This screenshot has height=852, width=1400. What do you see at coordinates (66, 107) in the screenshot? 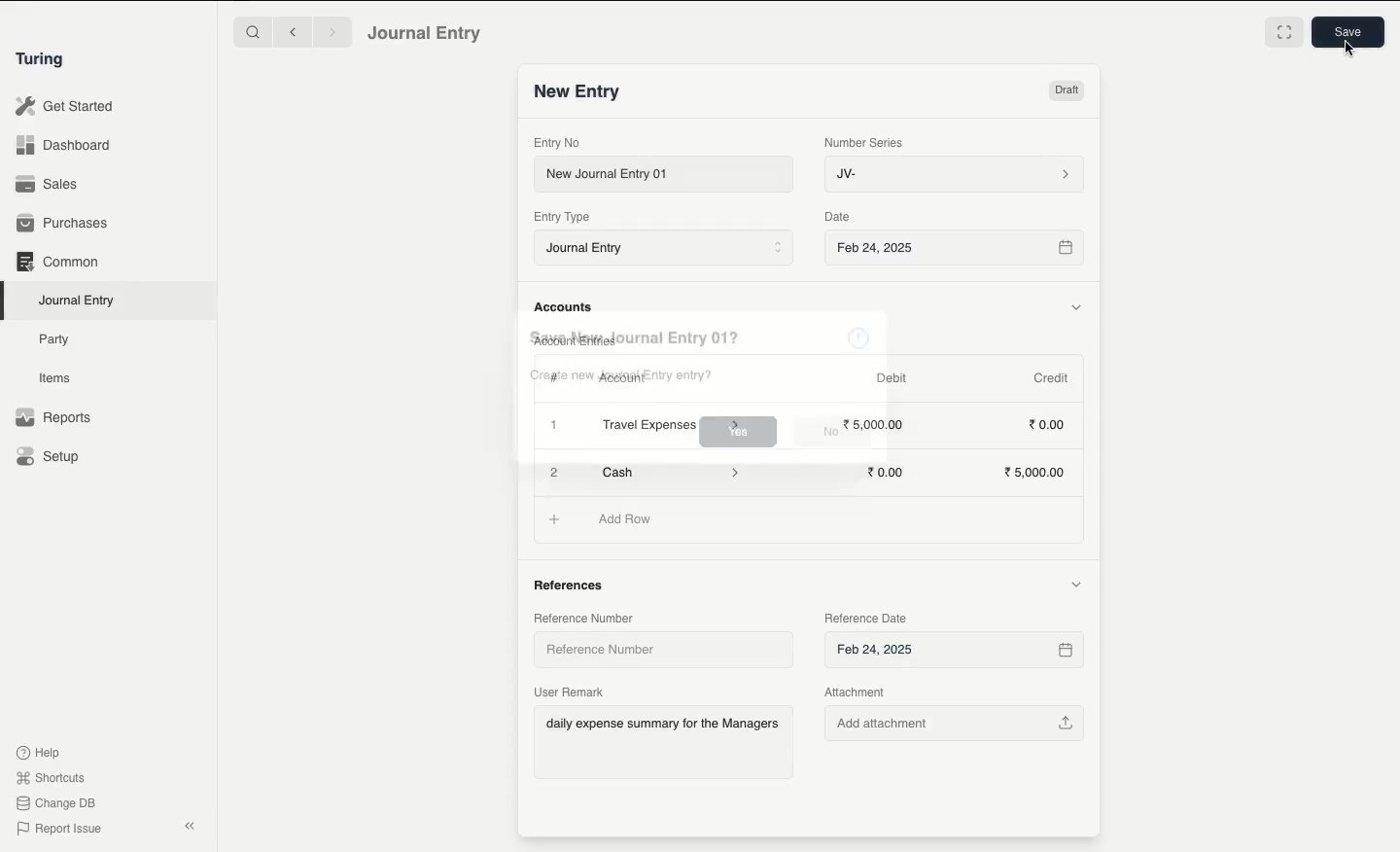
I see `Get Started` at bounding box center [66, 107].